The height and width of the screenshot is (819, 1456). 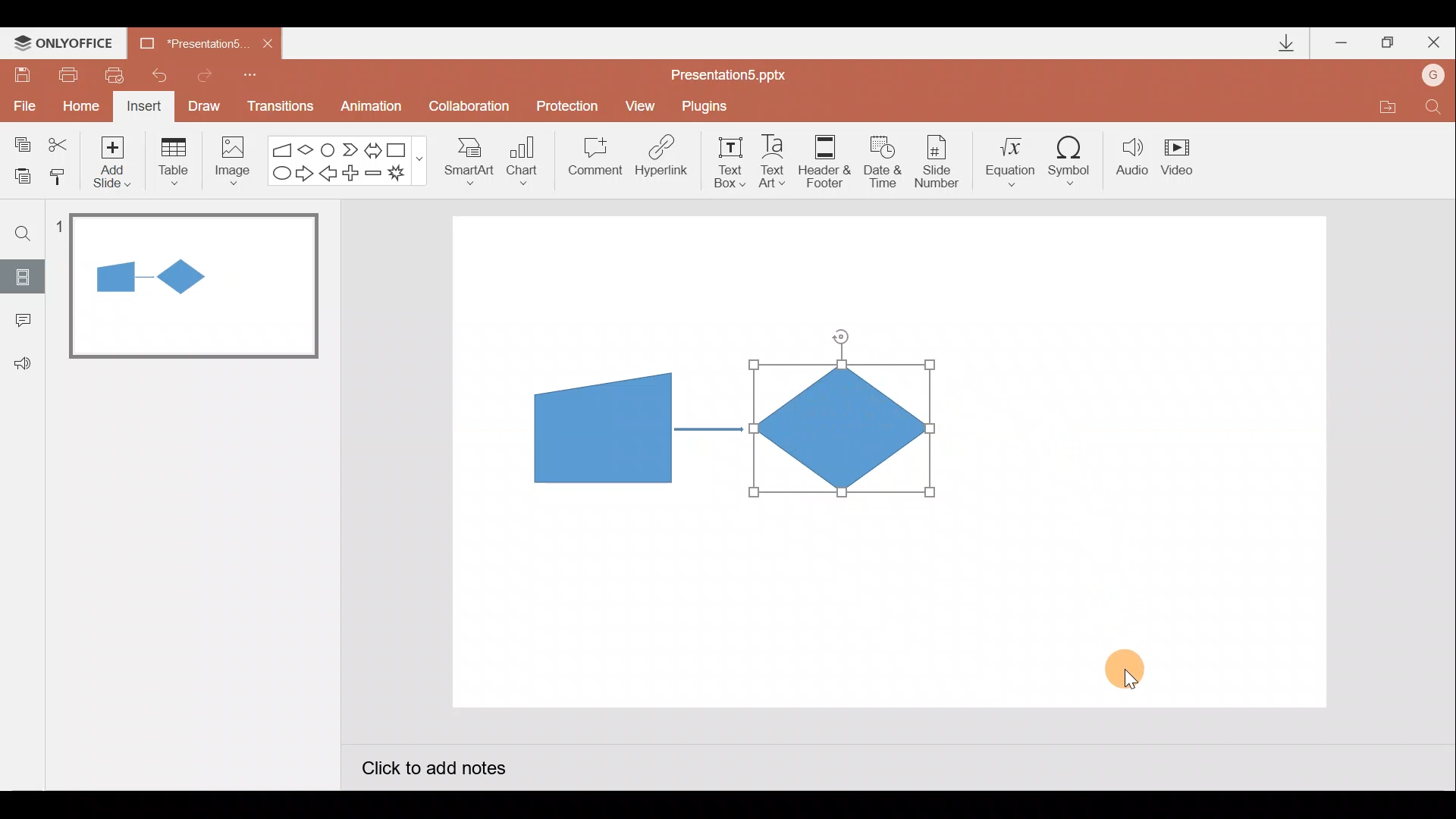 What do you see at coordinates (308, 149) in the screenshot?
I see `Flow chart-decision` at bounding box center [308, 149].